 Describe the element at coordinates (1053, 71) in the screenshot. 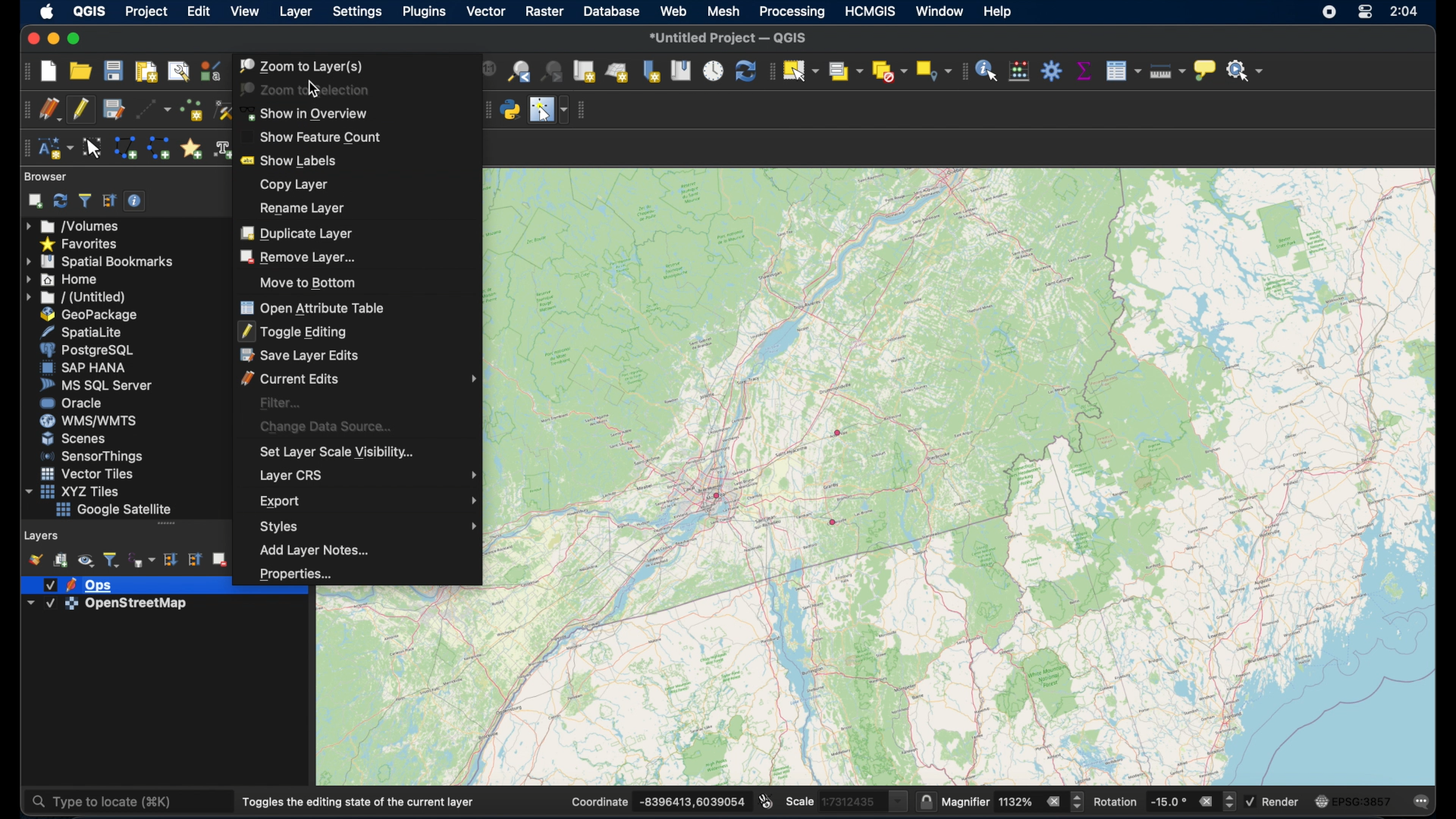

I see `toolbox` at that location.